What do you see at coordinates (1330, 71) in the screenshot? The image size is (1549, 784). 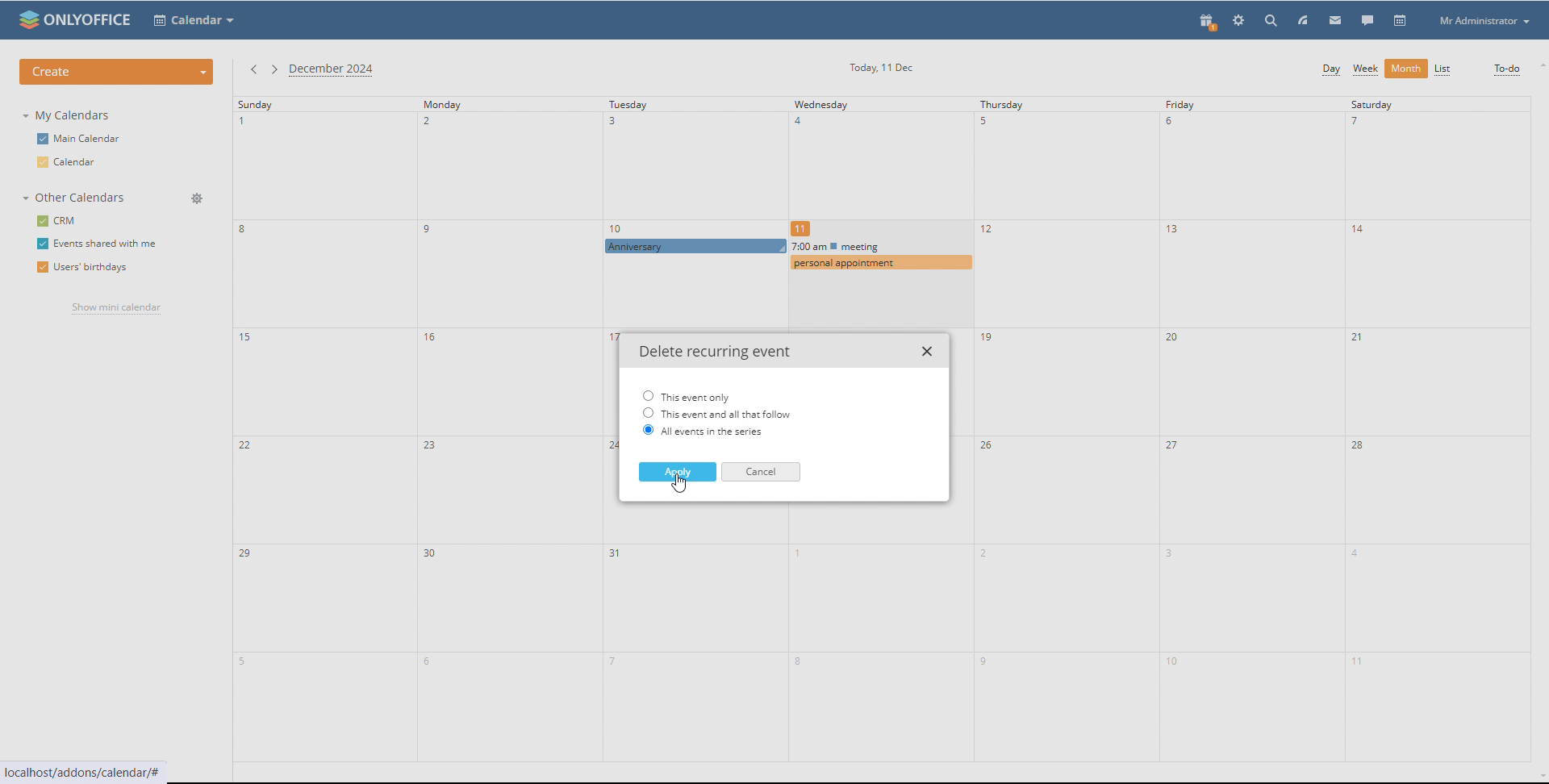 I see `day view` at bounding box center [1330, 71].